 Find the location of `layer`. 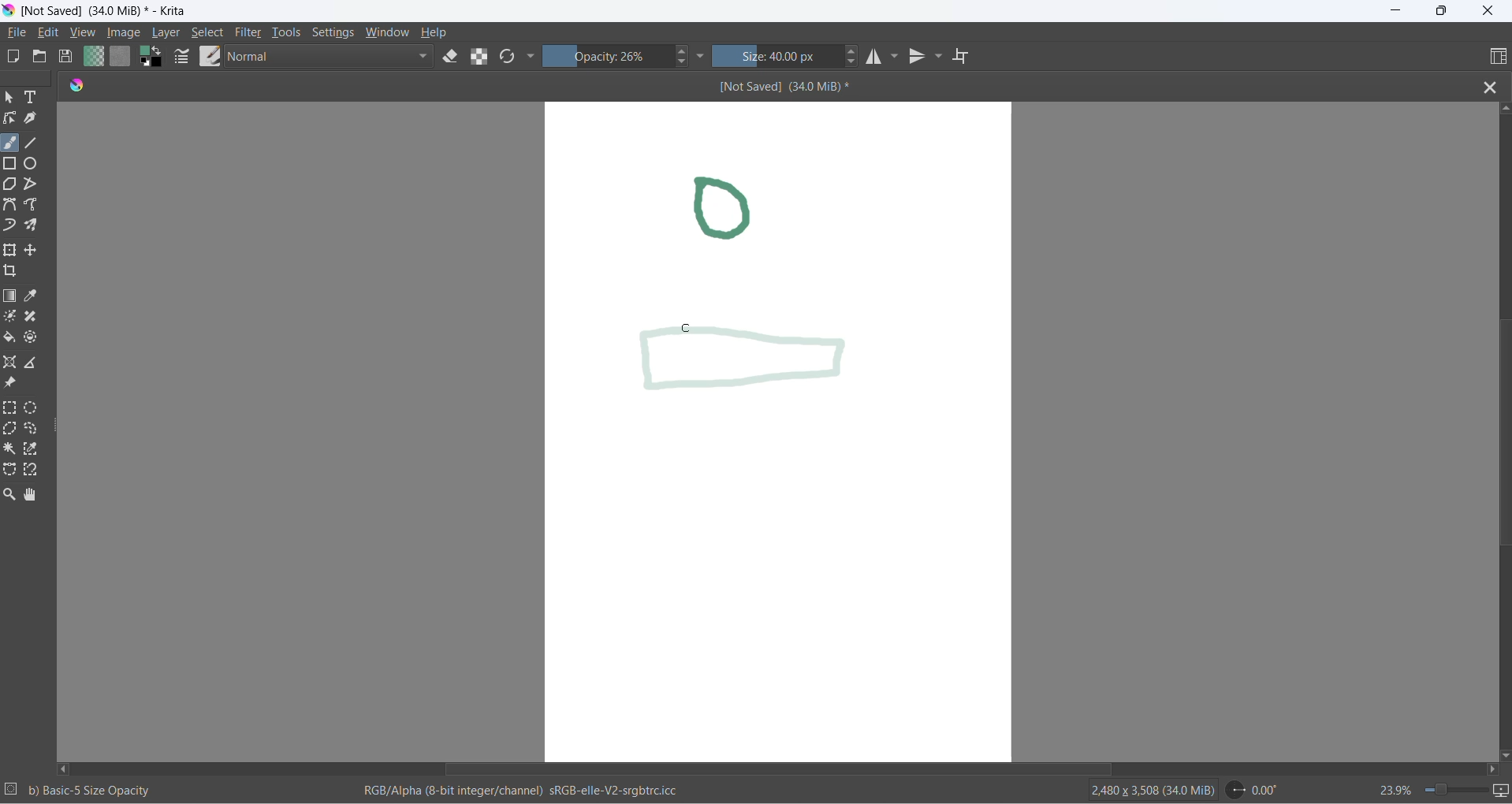

layer is located at coordinates (167, 32).